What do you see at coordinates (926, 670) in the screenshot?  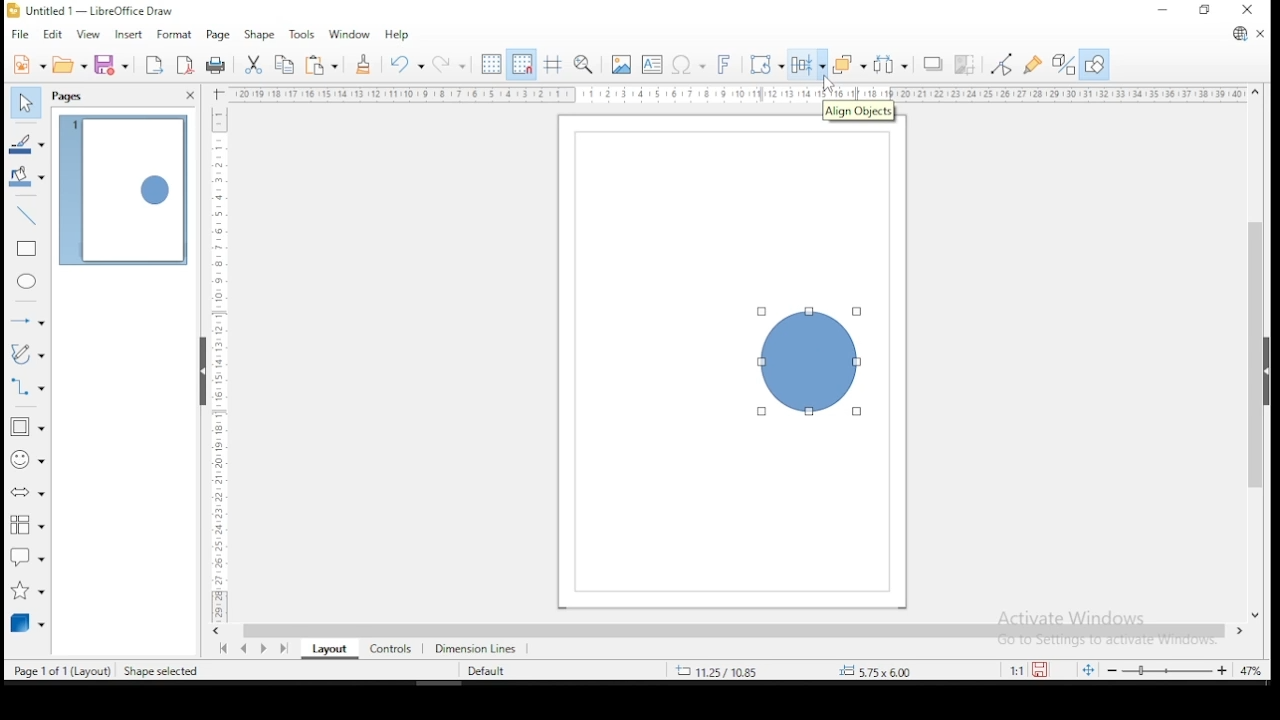 I see `zoom factor` at bounding box center [926, 670].